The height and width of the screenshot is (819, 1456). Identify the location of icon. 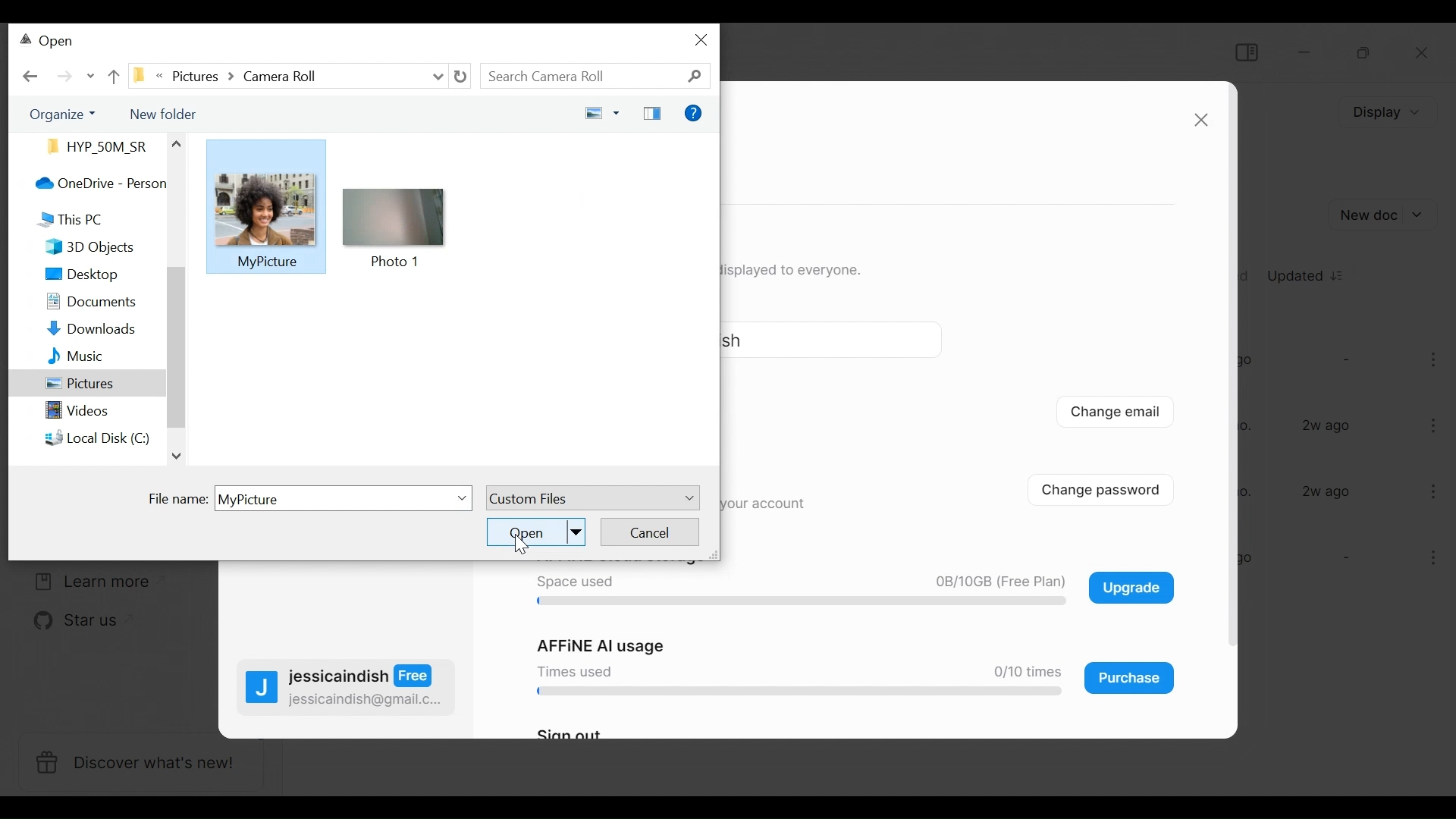
(396, 218).